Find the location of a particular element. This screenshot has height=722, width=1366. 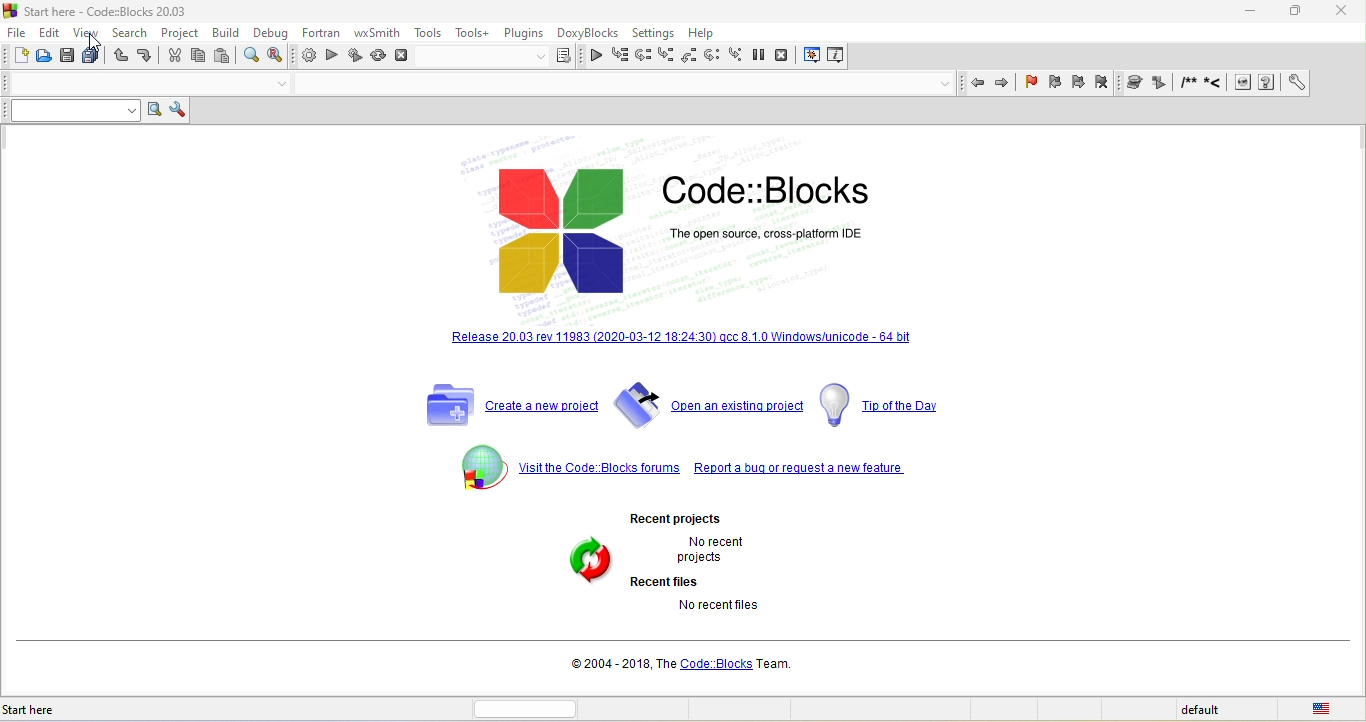

prev bookmark is located at coordinates (1055, 85).